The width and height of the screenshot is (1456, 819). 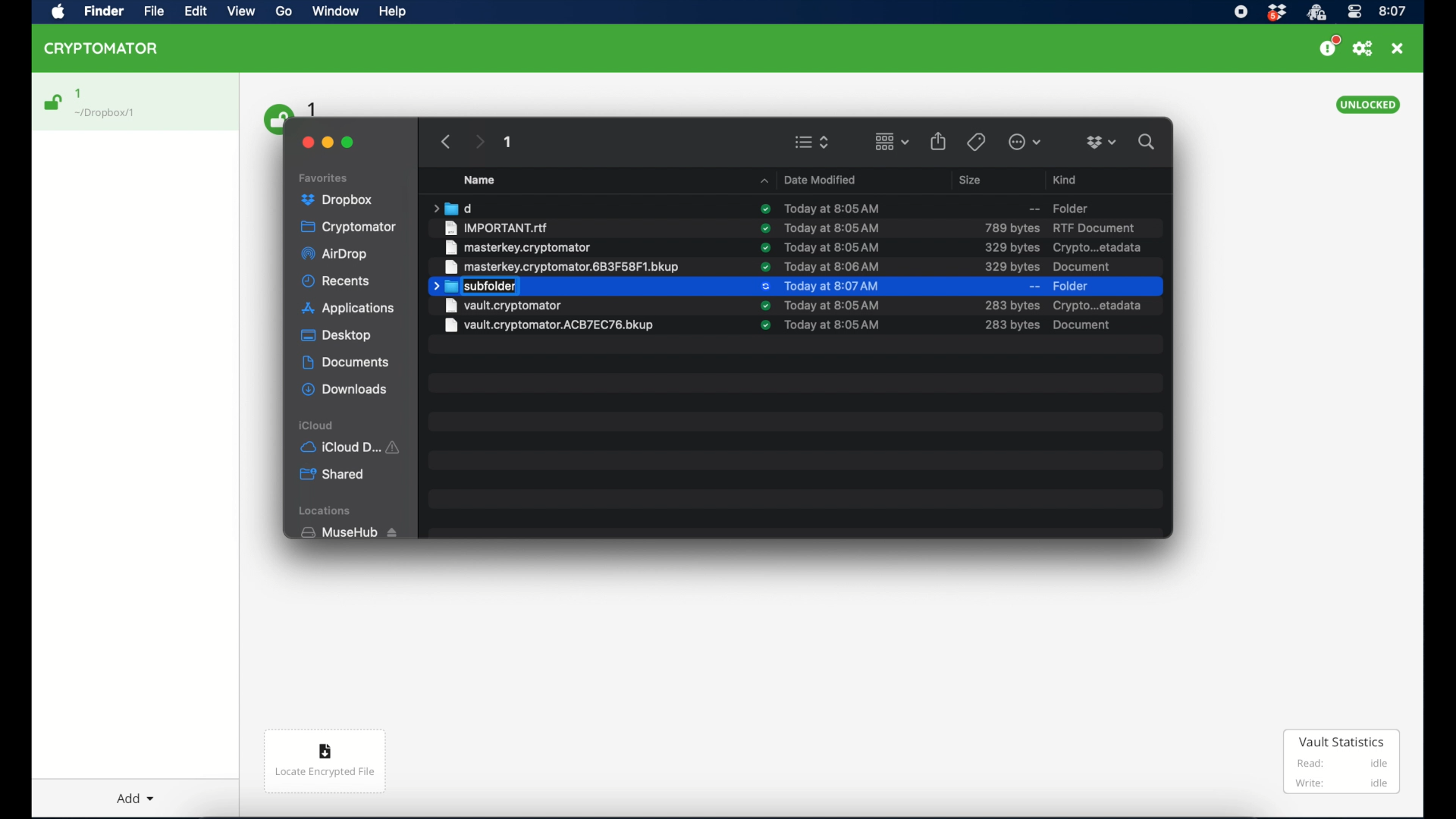 What do you see at coordinates (325, 176) in the screenshot?
I see `favorites` at bounding box center [325, 176].